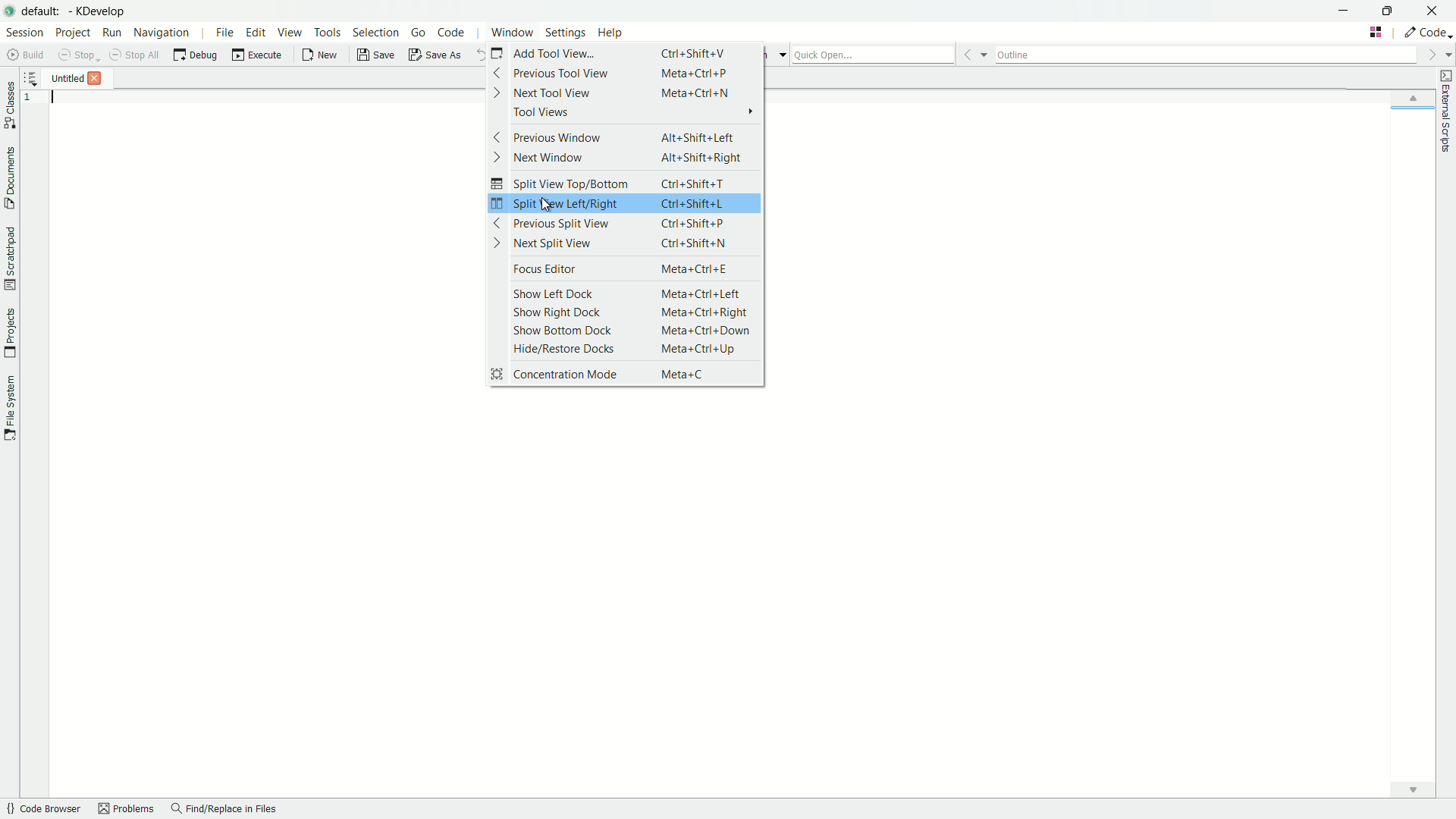 The image size is (1456, 819). What do you see at coordinates (27, 55) in the screenshot?
I see `build` at bounding box center [27, 55].